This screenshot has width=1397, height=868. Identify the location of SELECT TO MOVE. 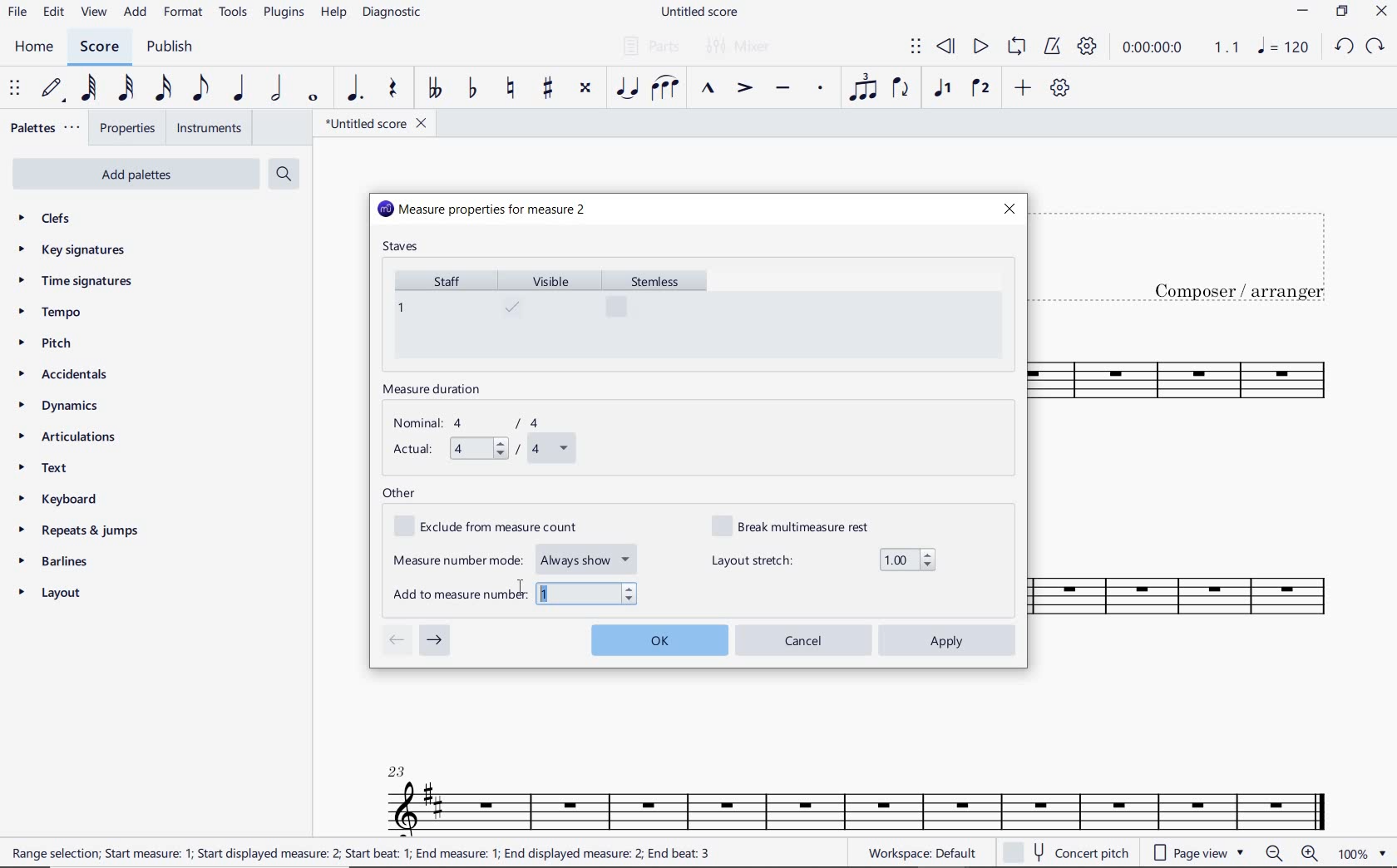
(916, 47).